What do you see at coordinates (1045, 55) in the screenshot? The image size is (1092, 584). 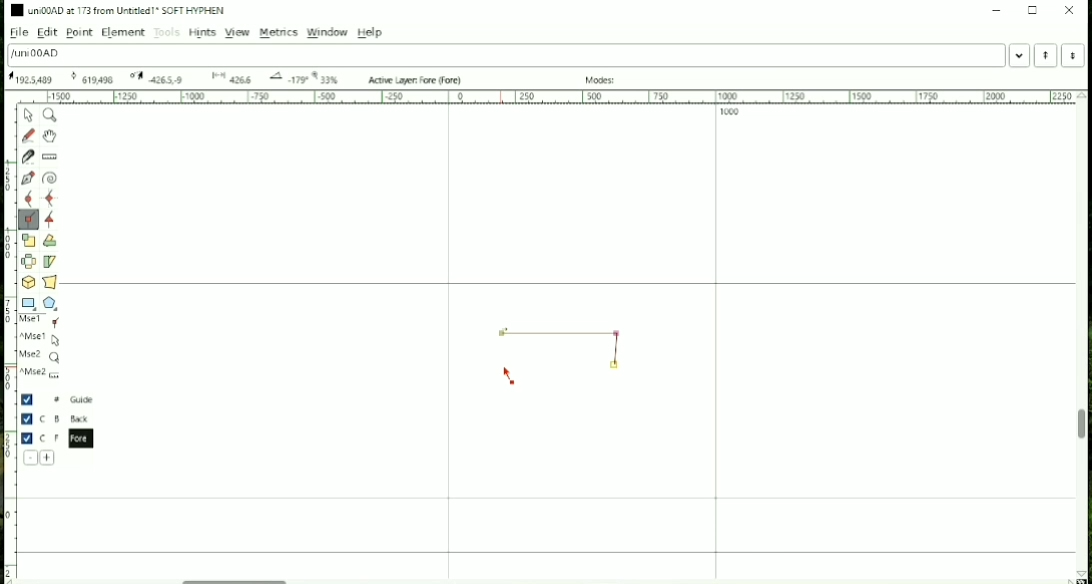 I see `Previous word` at bounding box center [1045, 55].